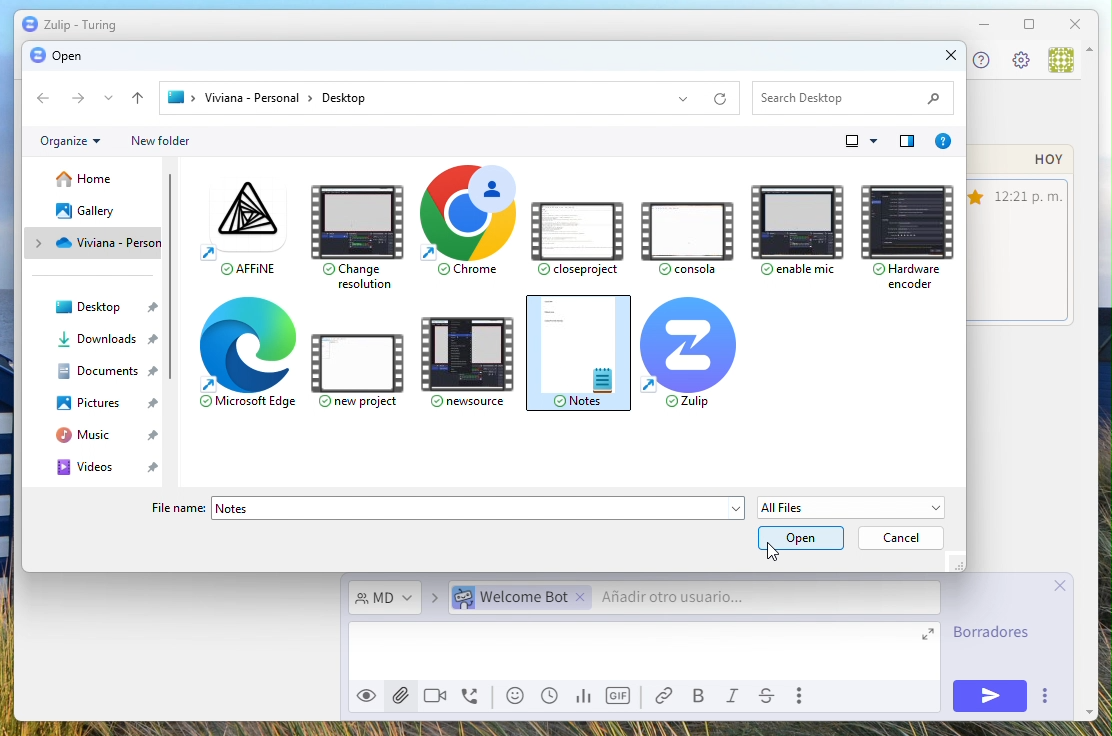 This screenshot has height=736, width=1112. What do you see at coordinates (907, 141) in the screenshot?
I see `Help` at bounding box center [907, 141].